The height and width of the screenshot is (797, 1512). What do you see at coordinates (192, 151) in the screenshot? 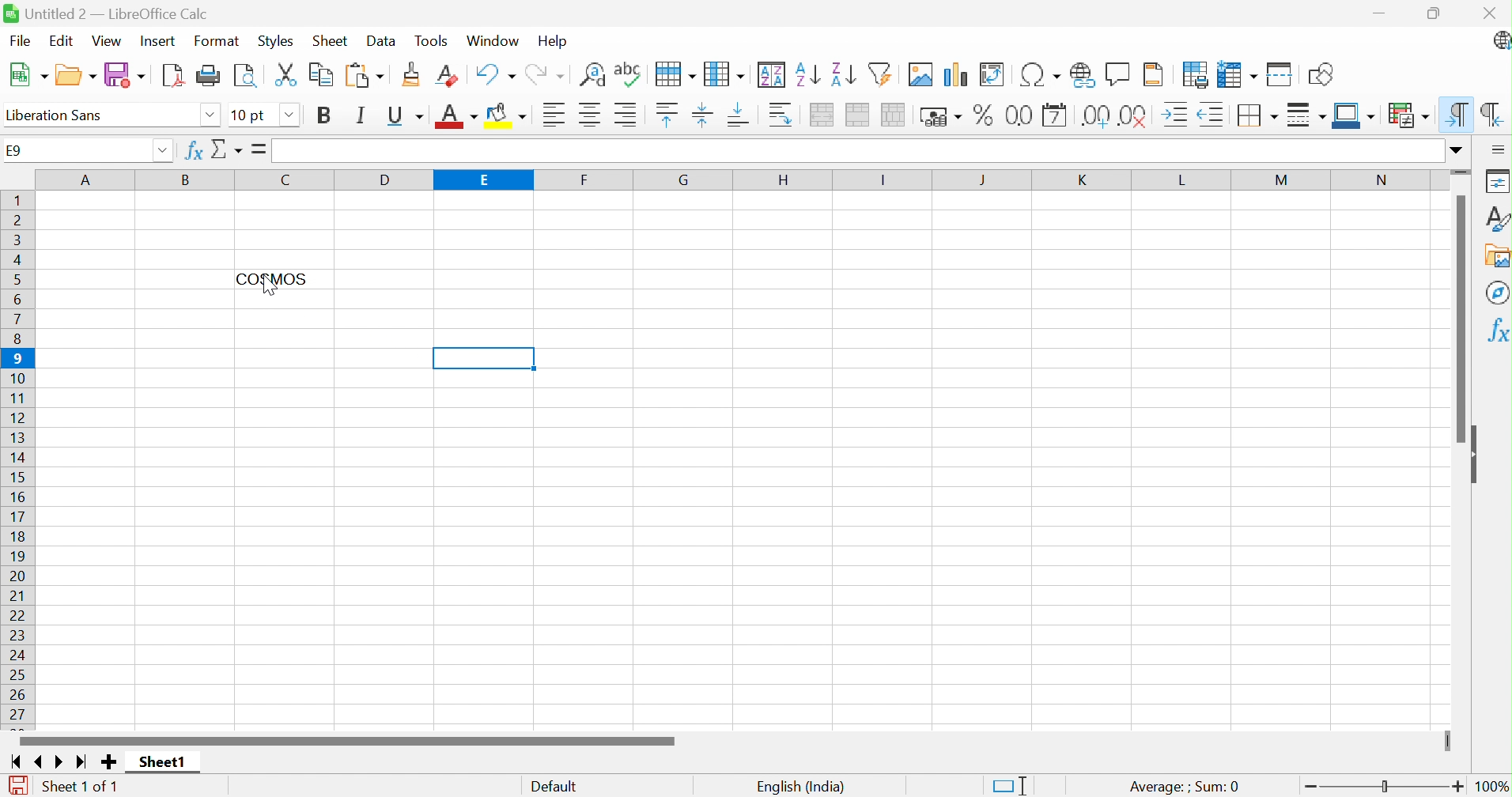
I see `Function wizard` at bounding box center [192, 151].